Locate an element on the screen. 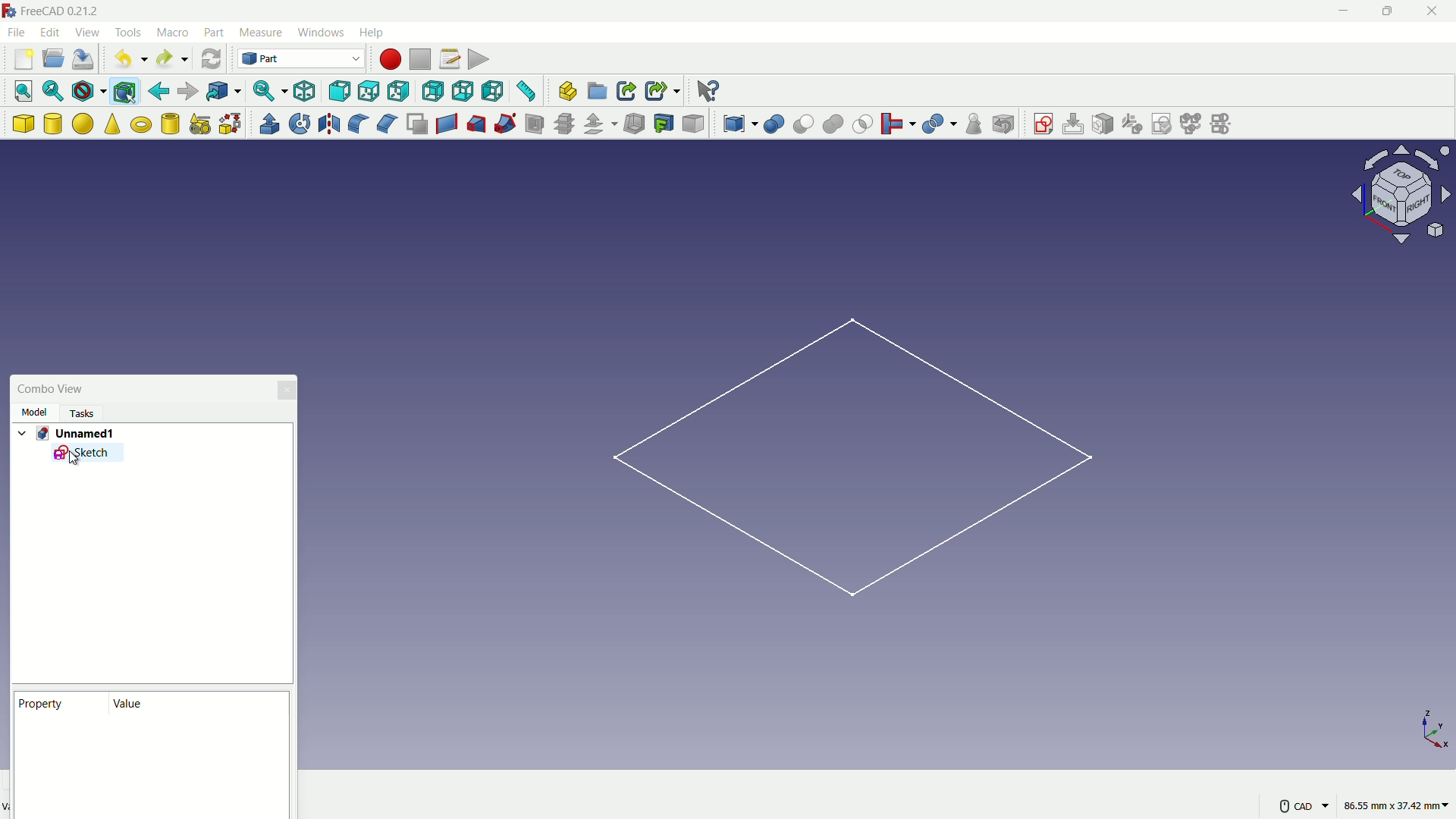 The height and width of the screenshot is (819, 1456). go to linked objects is located at coordinates (224, 90).